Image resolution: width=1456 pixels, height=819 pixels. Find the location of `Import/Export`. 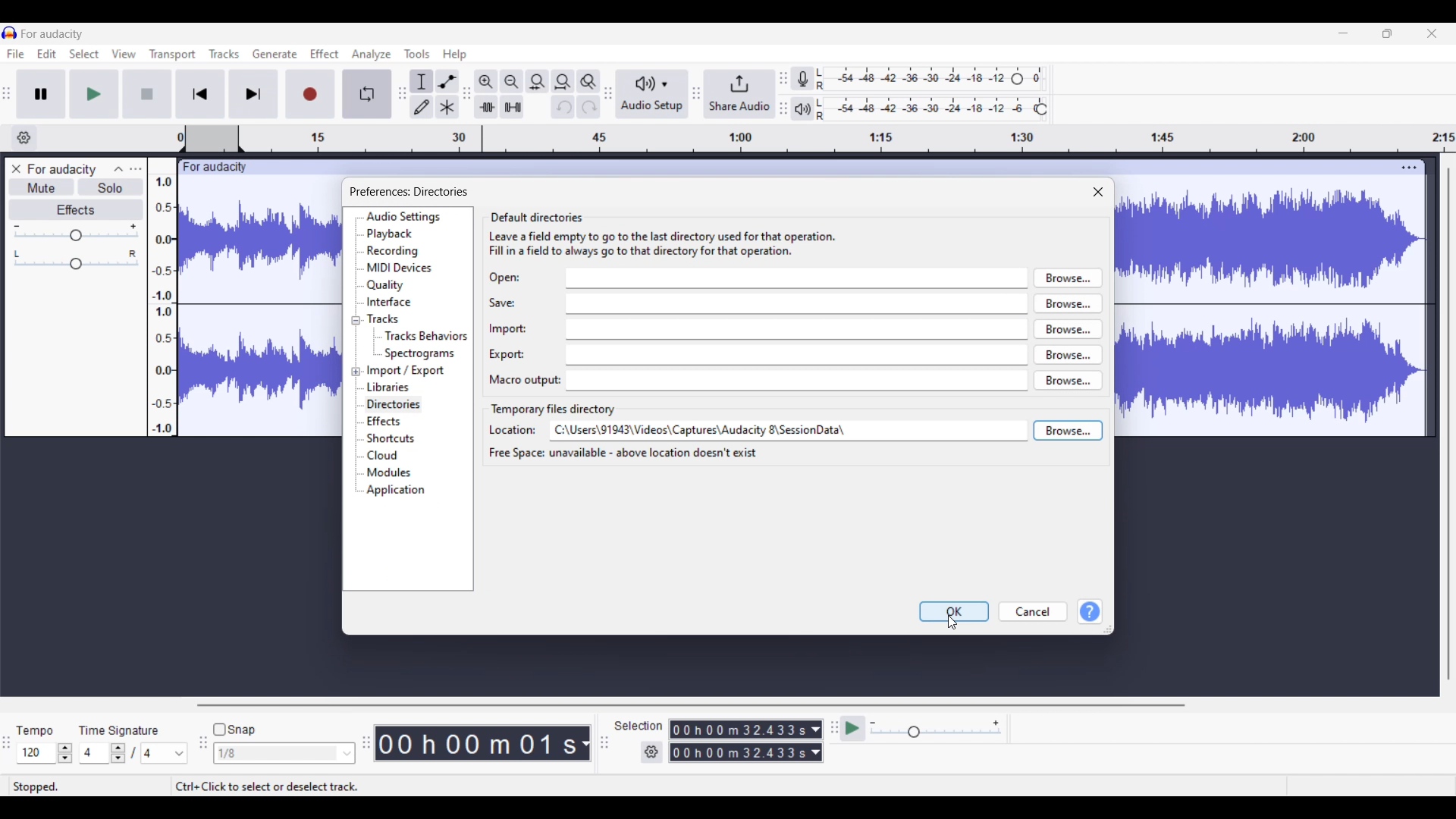

Import/Export is located at coordinates (407, 370).